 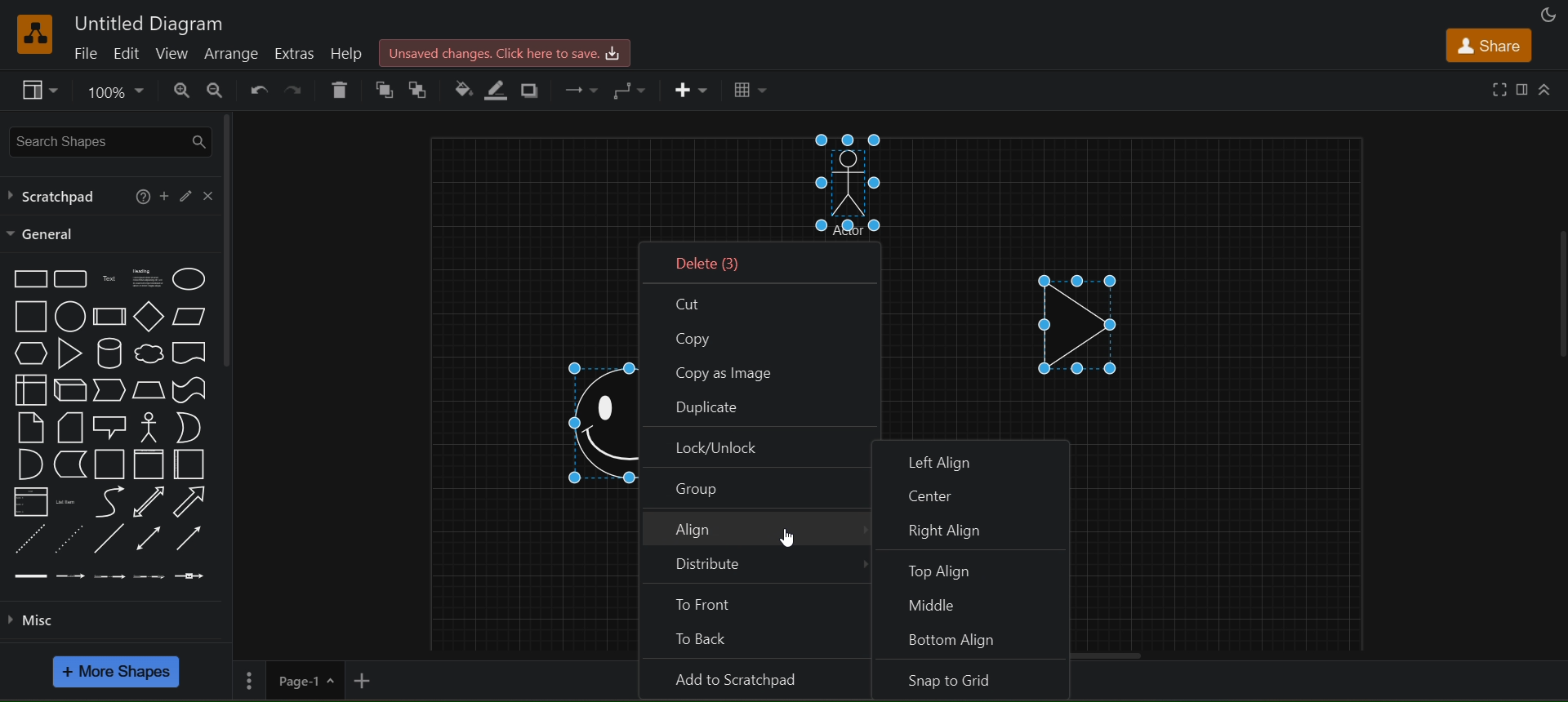 I want to click on share, so click(x=1491, y=45).